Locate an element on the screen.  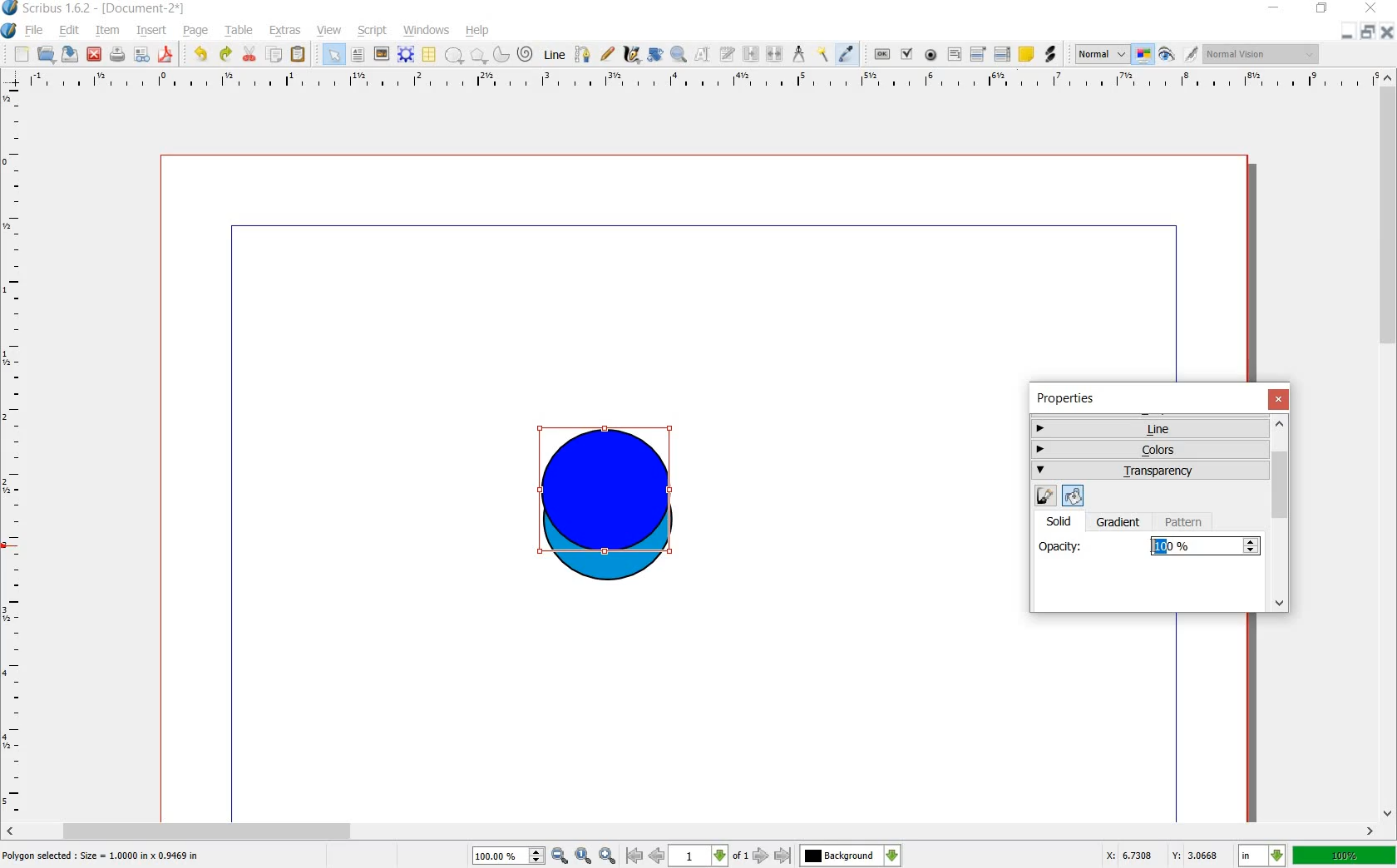
help is located at coordinates (477, 31).